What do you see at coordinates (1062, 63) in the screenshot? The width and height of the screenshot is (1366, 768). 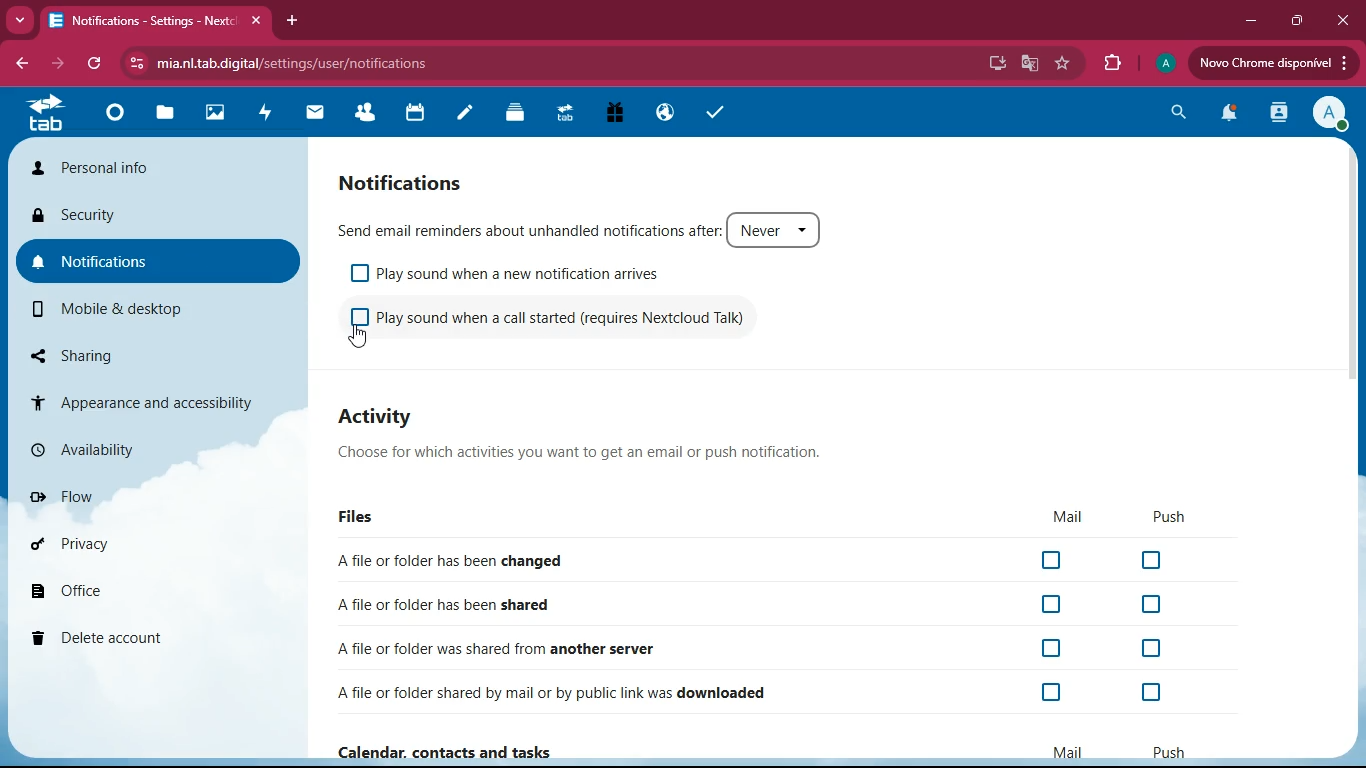 I see `favorite` at bounding box center [1062, 63].